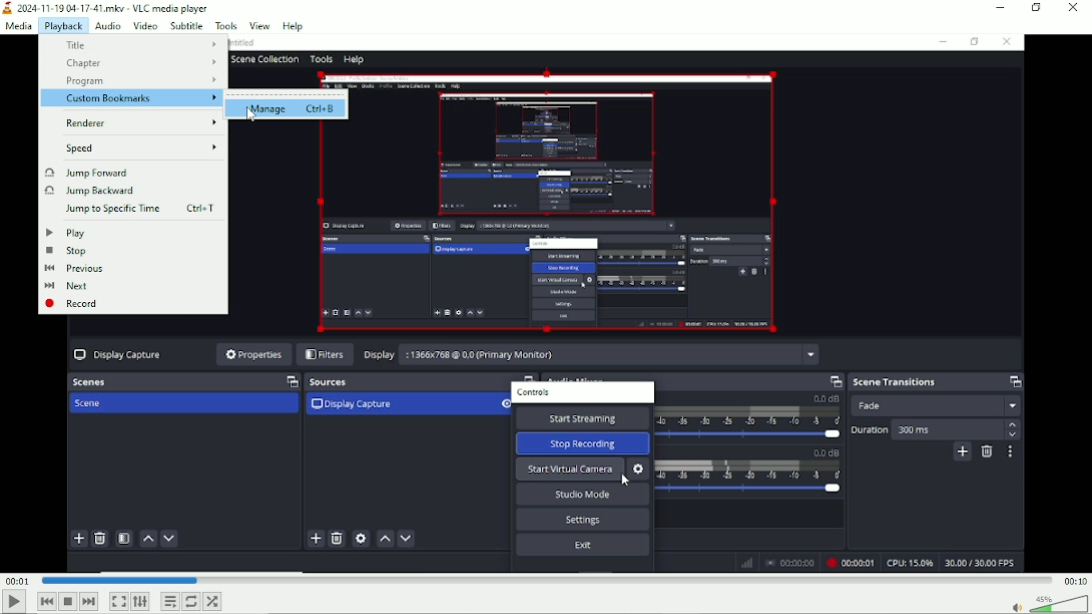 This screenshot has height=614, width=1092. Describe the element at coordinates (88, 191) in the screenshot. I see `Jump backward` at that location.